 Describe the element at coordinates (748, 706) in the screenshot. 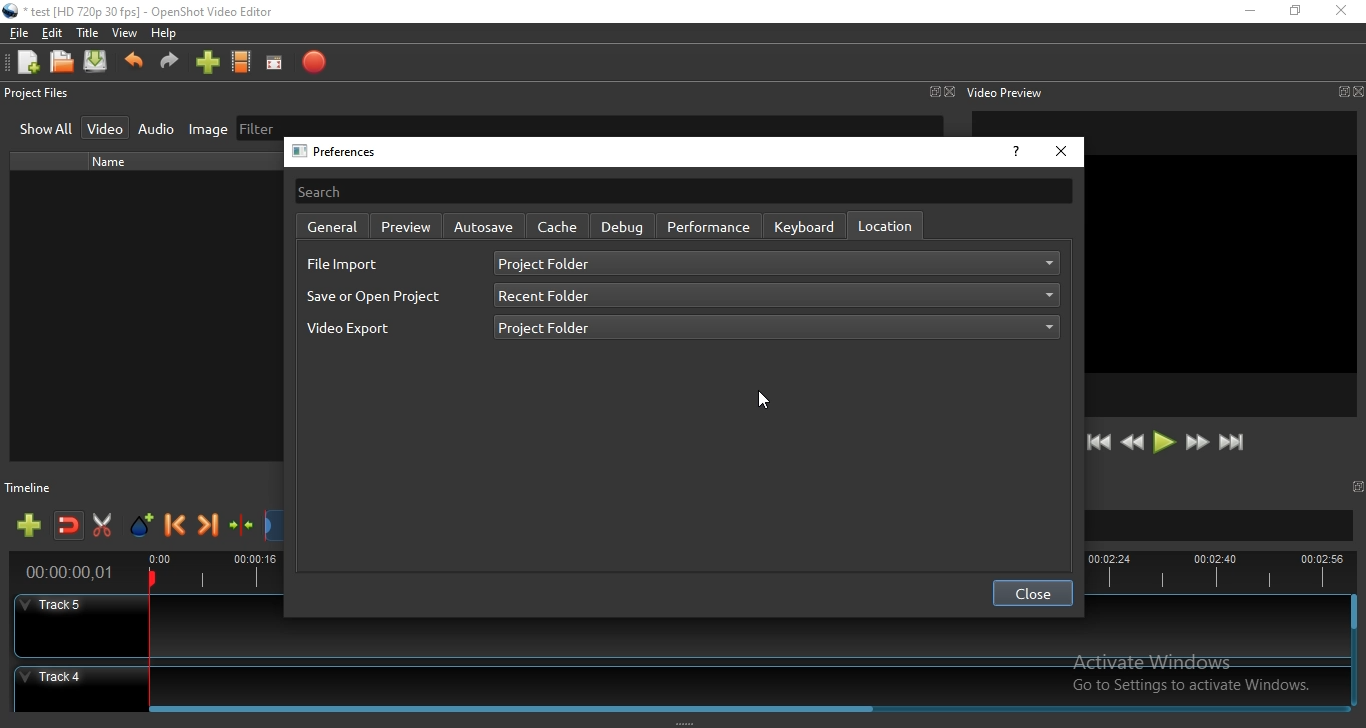

I see `Horizontal Scroll bar` at that location.